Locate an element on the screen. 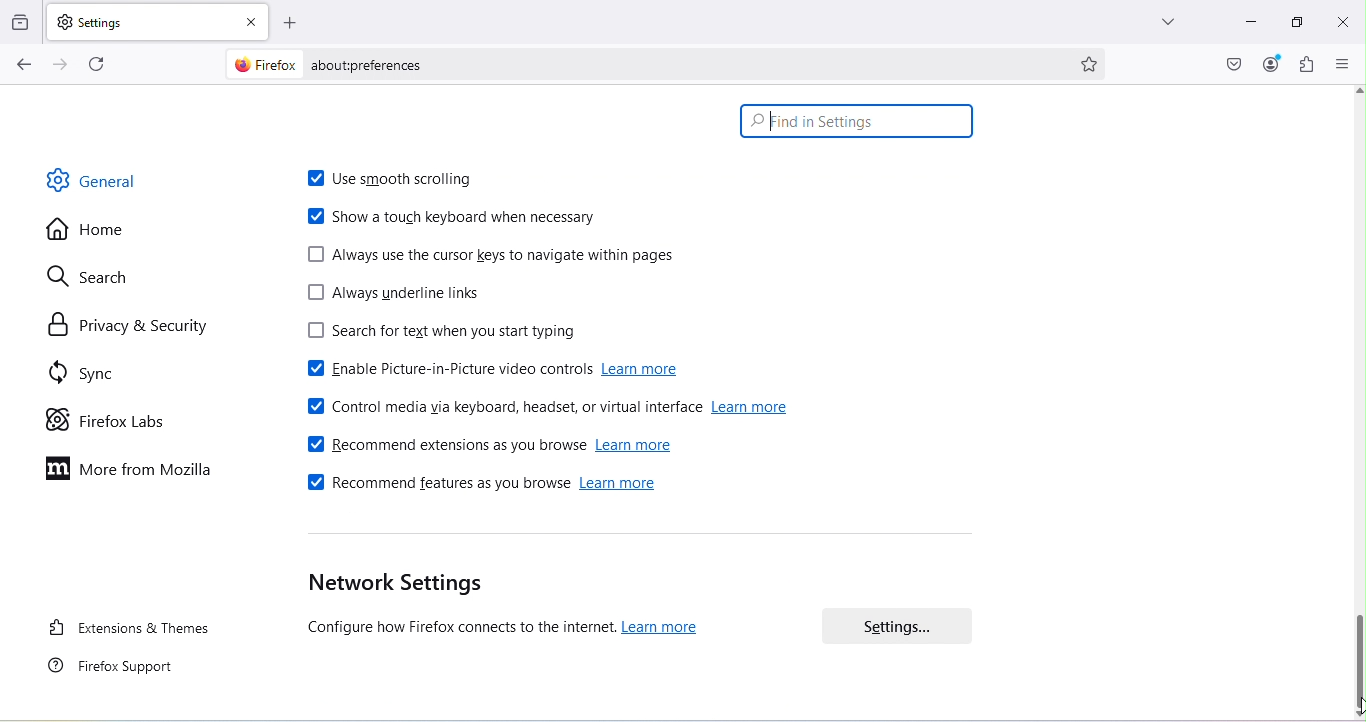 This screenshot has height=722, width=1366. Control media via keyboard, headset or virtual interface is located at coordinates (500, 410).